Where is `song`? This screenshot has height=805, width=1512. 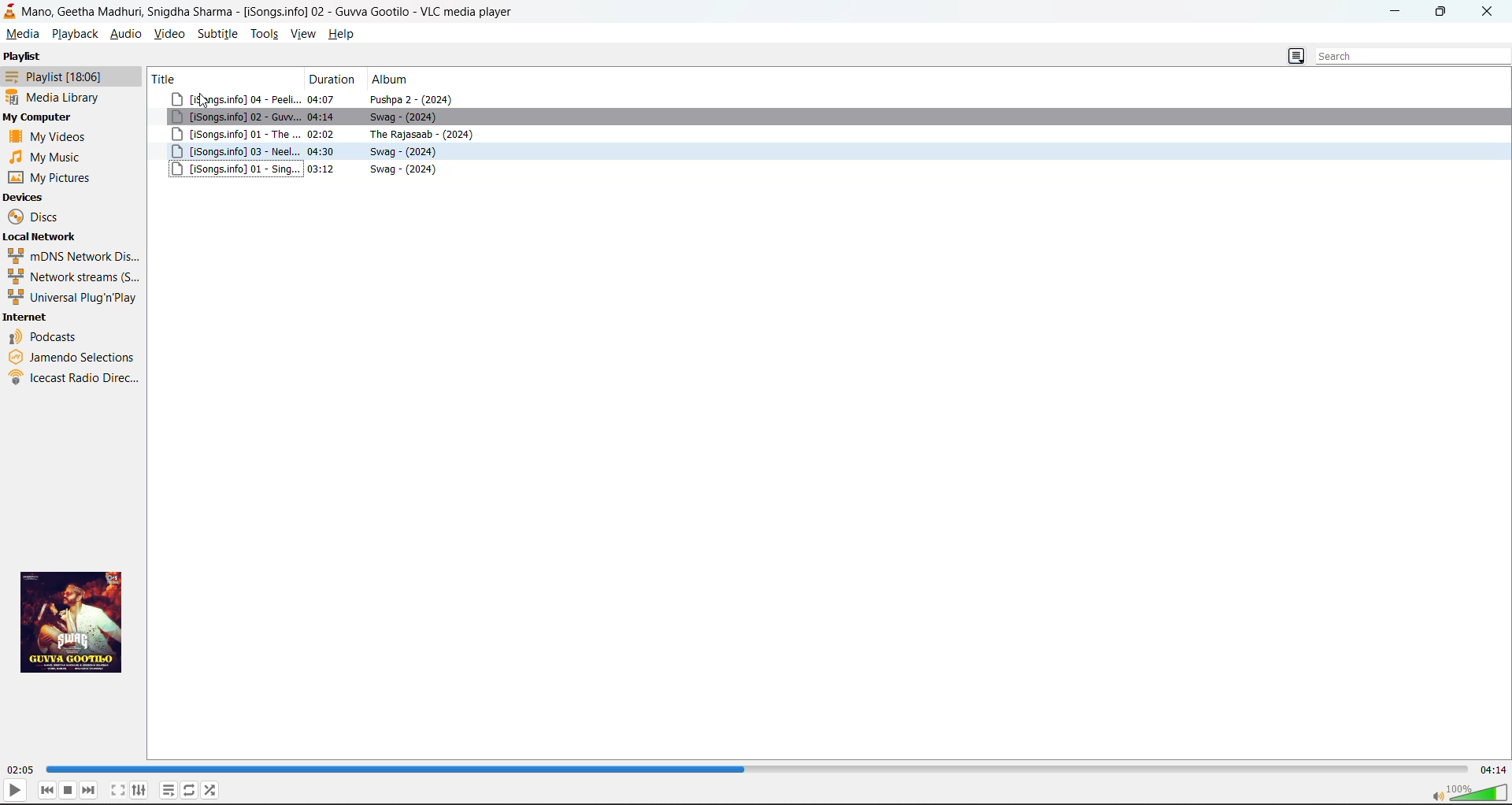
song is located at coordinates (830, 169).